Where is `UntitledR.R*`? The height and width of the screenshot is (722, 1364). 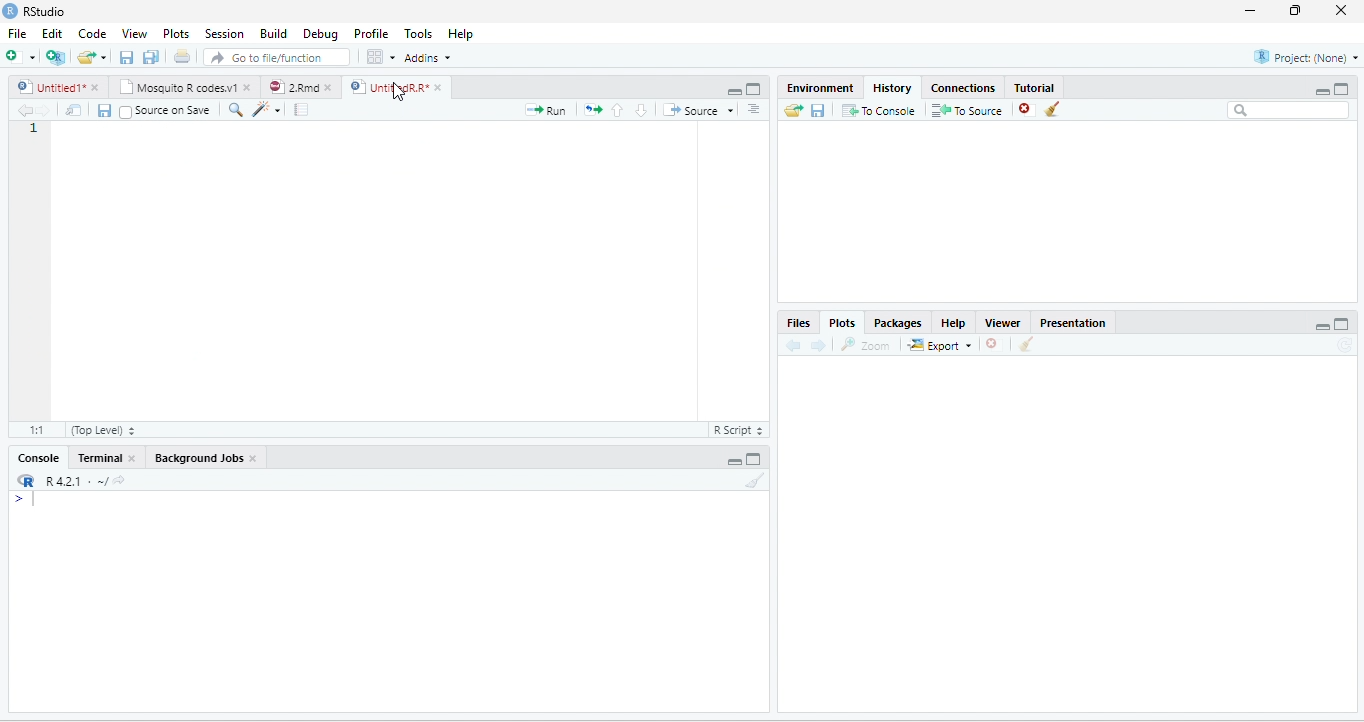 UntitledR.R* is located at coordinates (387, 87).